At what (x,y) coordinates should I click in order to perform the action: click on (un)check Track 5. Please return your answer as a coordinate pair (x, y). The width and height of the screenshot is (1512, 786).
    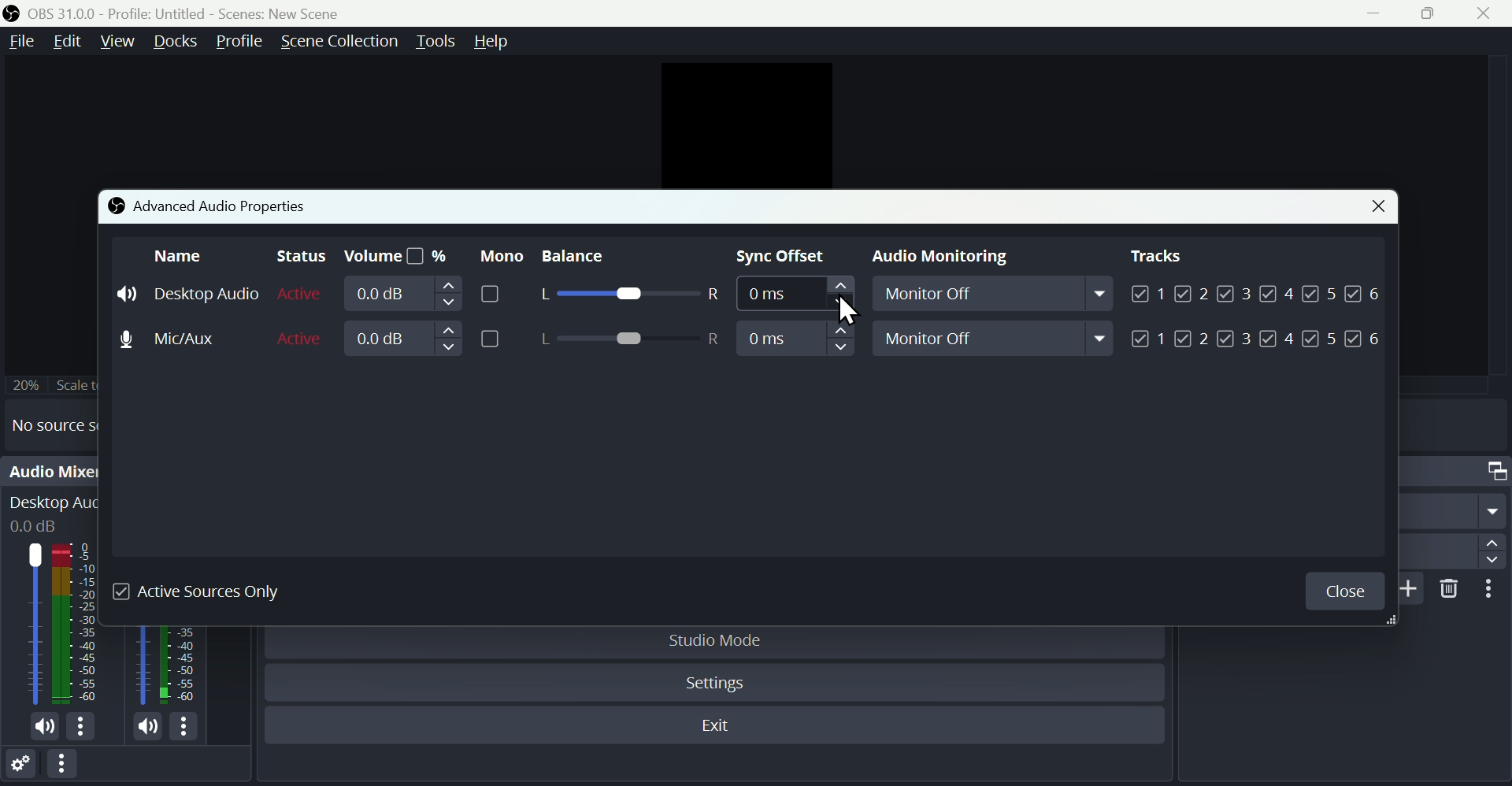
    Looking at the image, I should click on (1318, 339).